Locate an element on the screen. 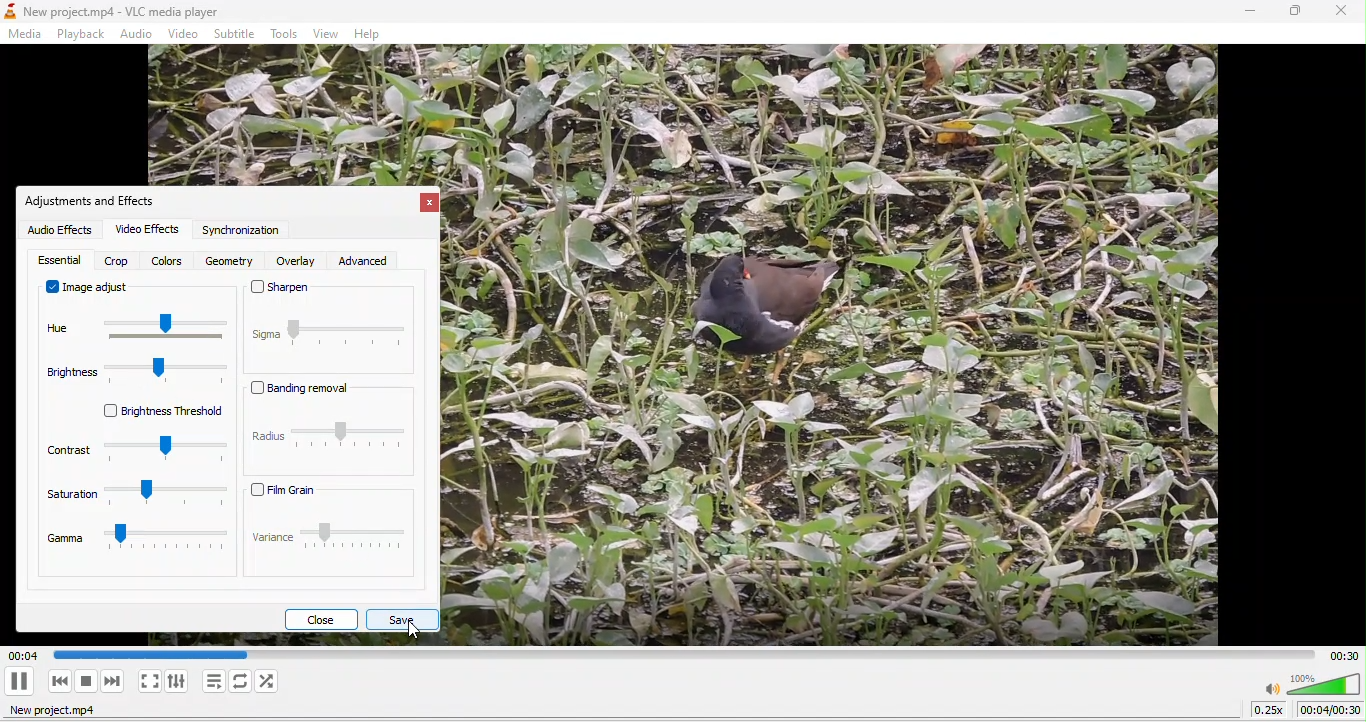  playback is located at coordinates (79, 33).